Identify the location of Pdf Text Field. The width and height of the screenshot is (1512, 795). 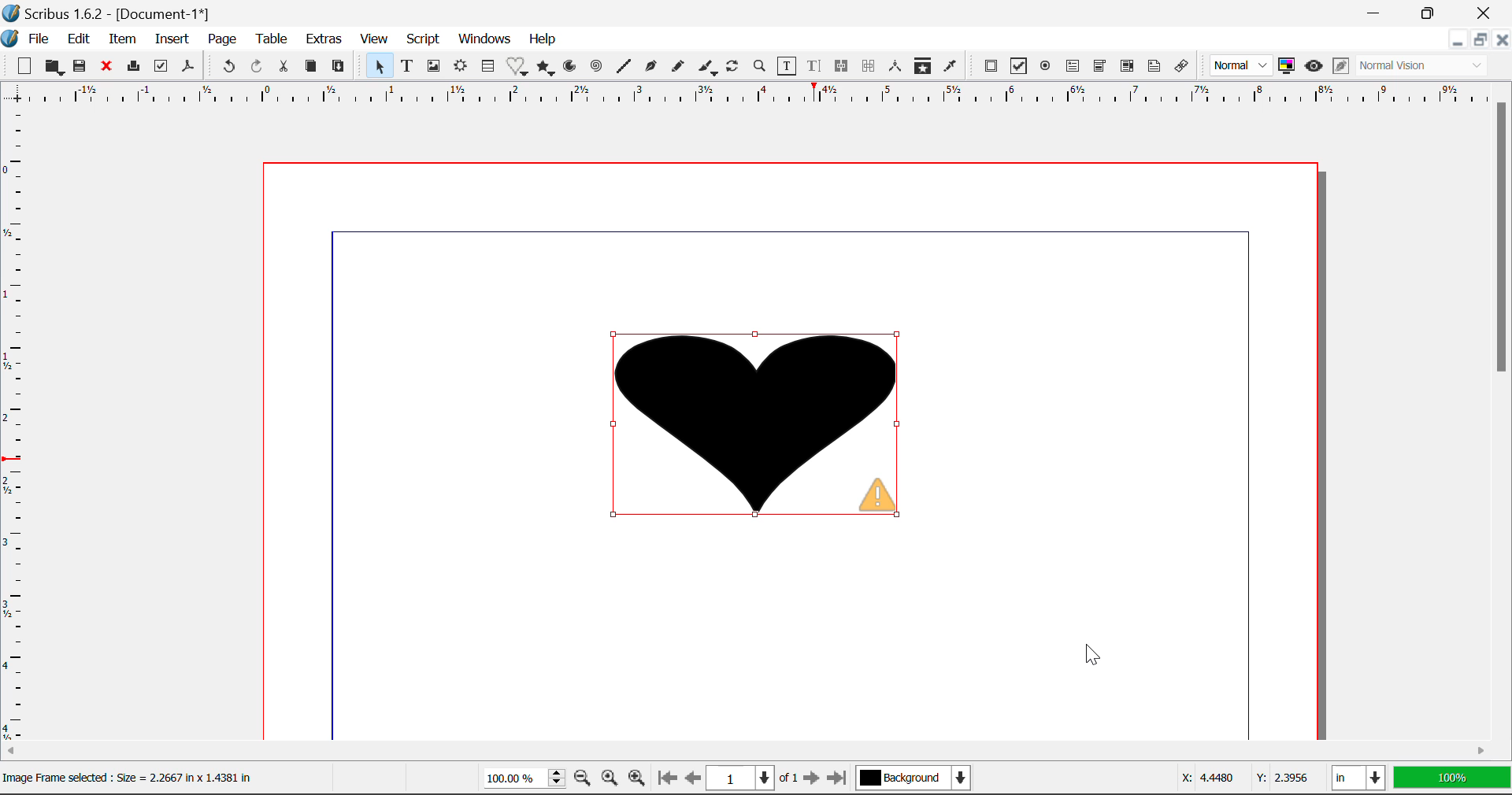
(1073, 68).